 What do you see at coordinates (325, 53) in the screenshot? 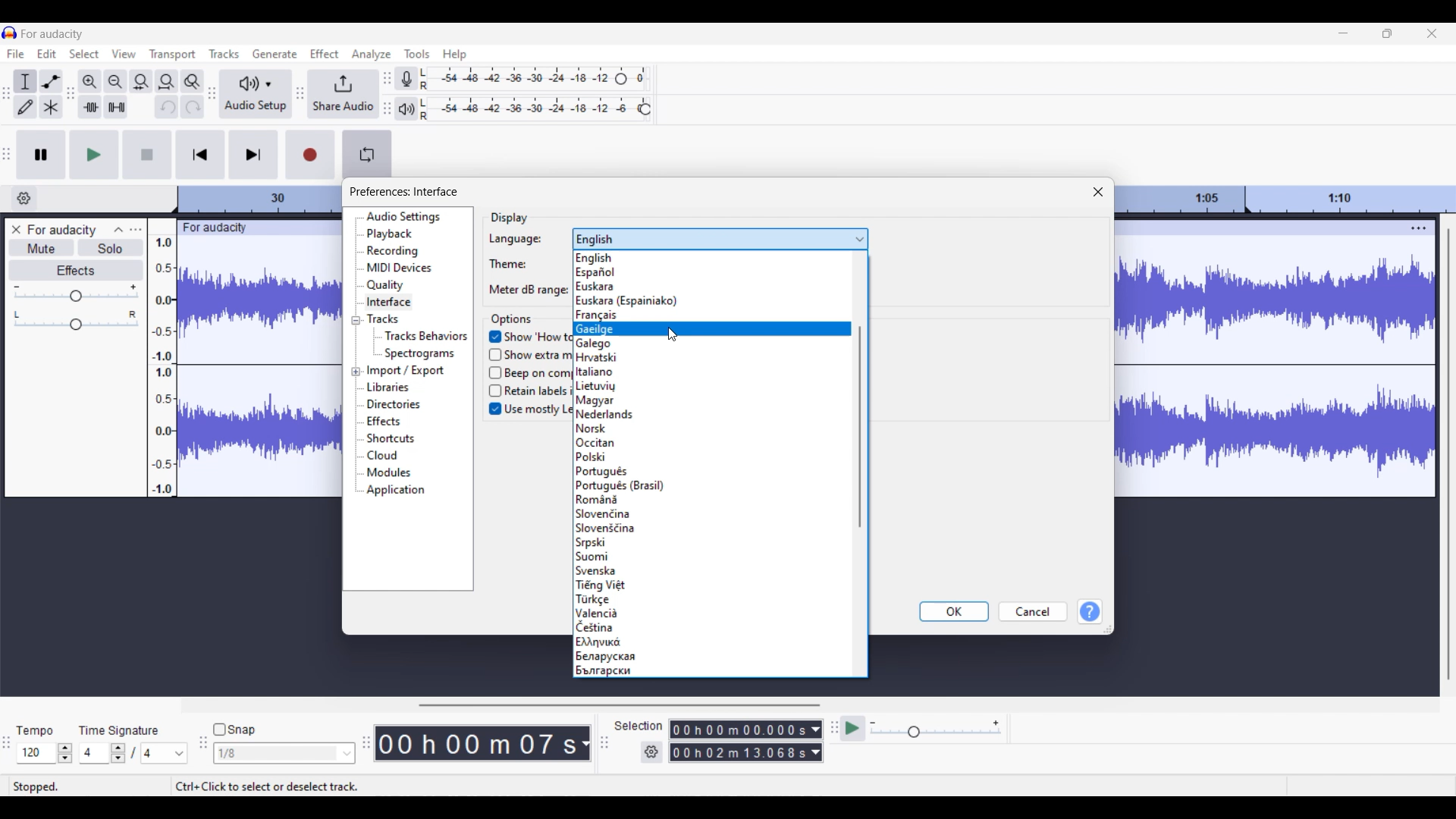
I see `Effect menu` at bounding box center [325, 53].